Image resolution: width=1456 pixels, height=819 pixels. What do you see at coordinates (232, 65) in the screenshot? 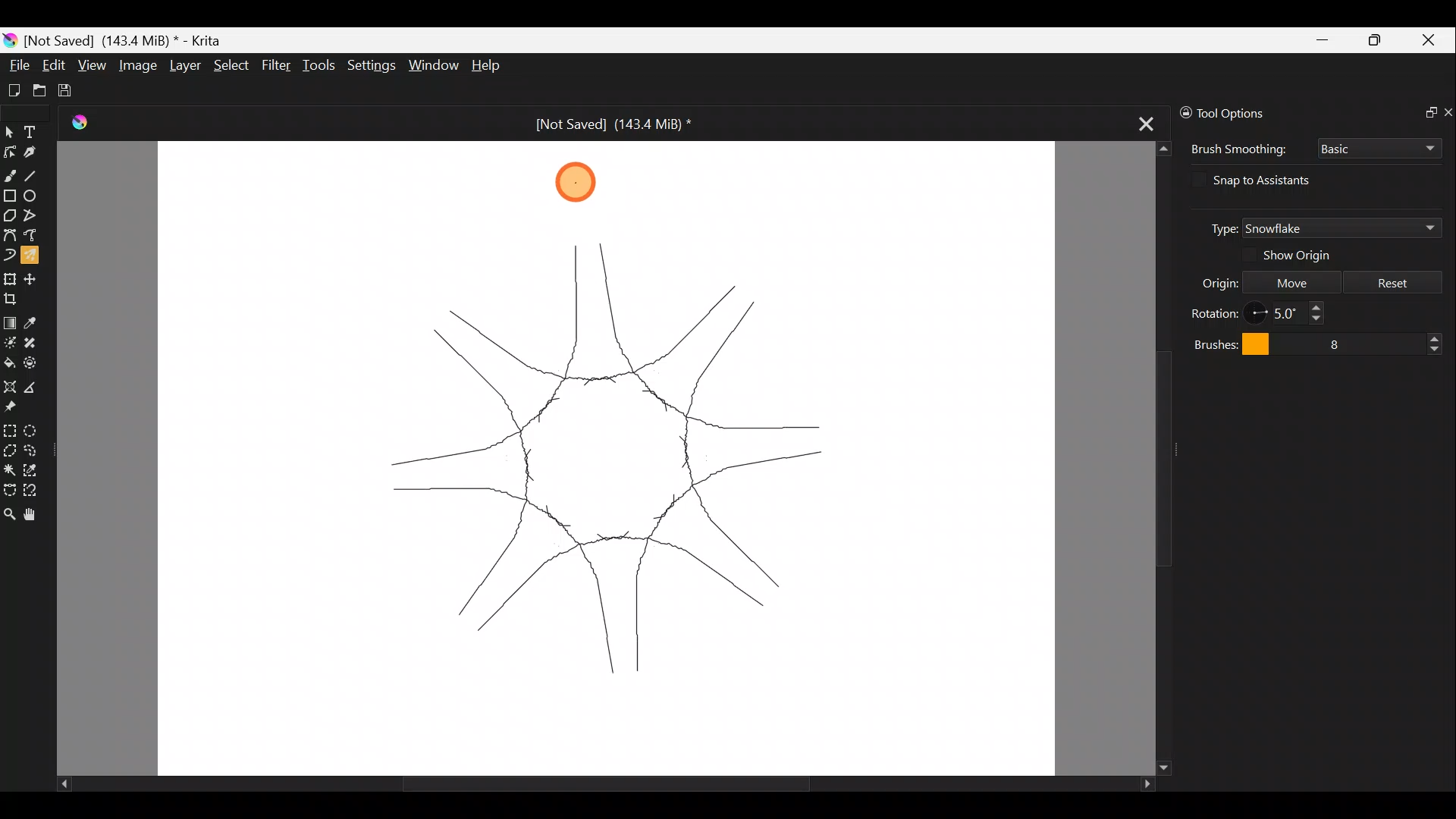
I see `Select` at bounding box center [232, 65].